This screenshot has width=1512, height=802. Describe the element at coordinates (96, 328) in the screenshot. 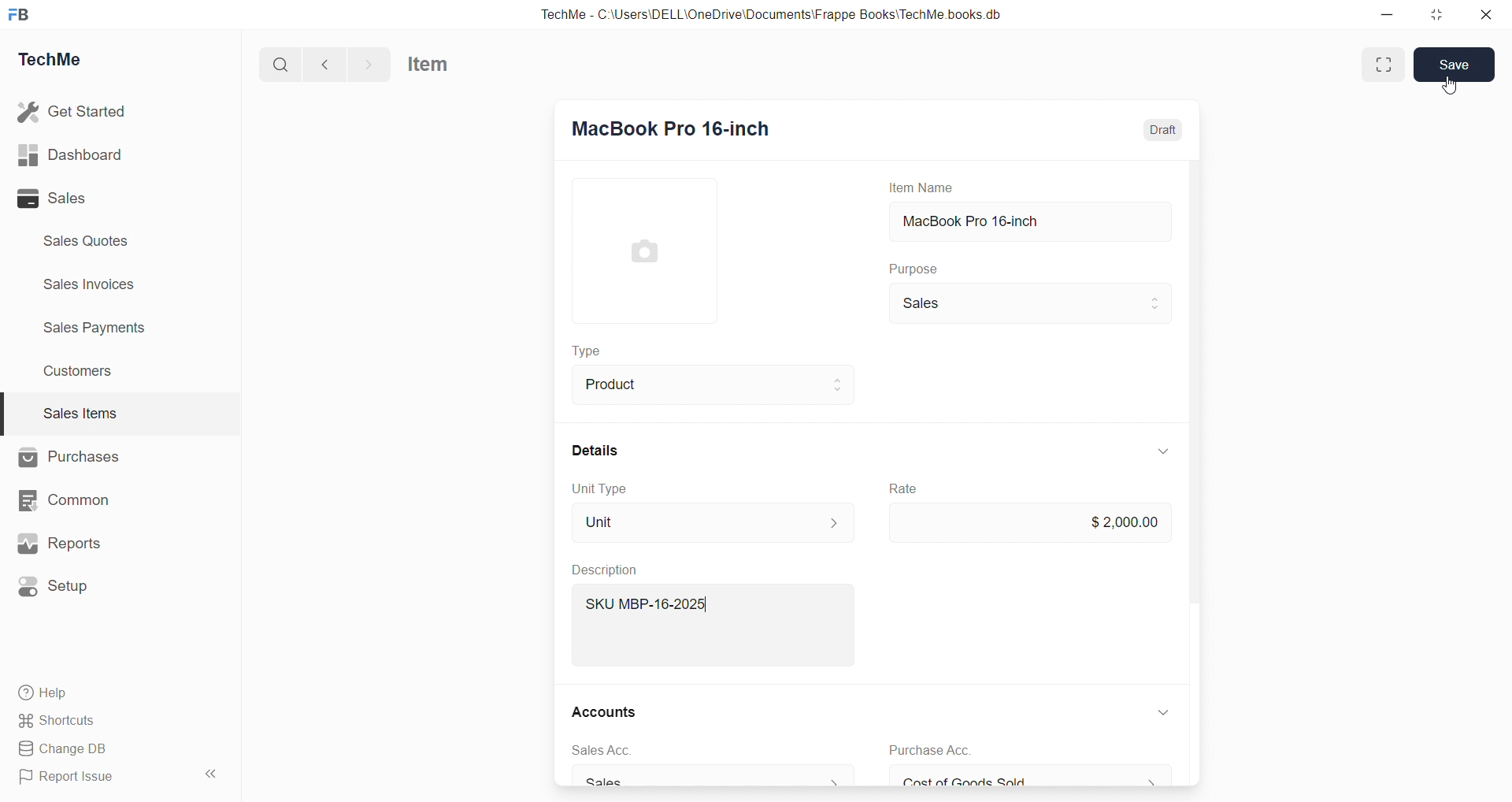

I see `Sales Payments` at that location.